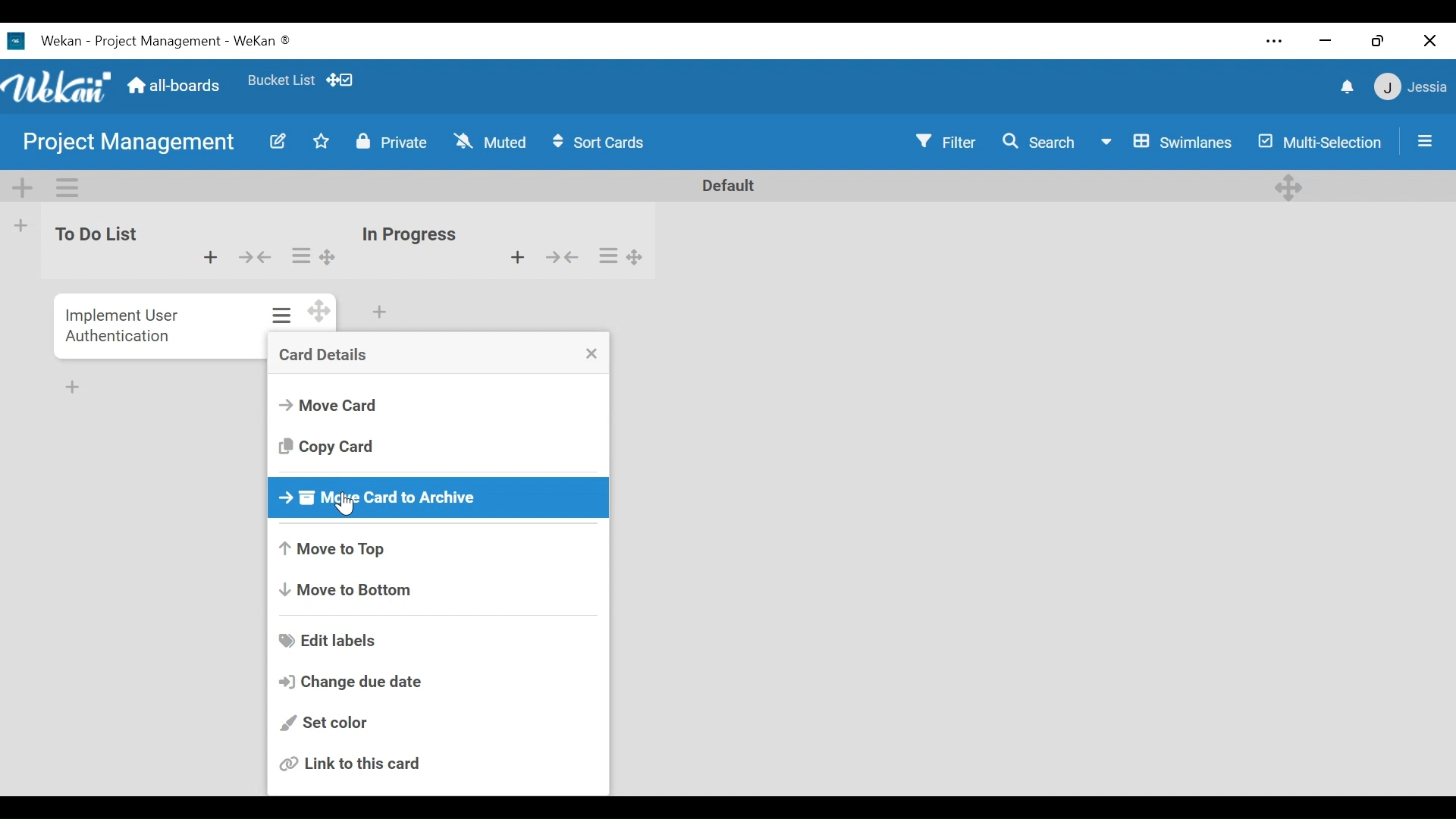  What do you see at coordinates (353, 762) in the screenshot?
I see `Link to this card` at bounding box center [353, 762].